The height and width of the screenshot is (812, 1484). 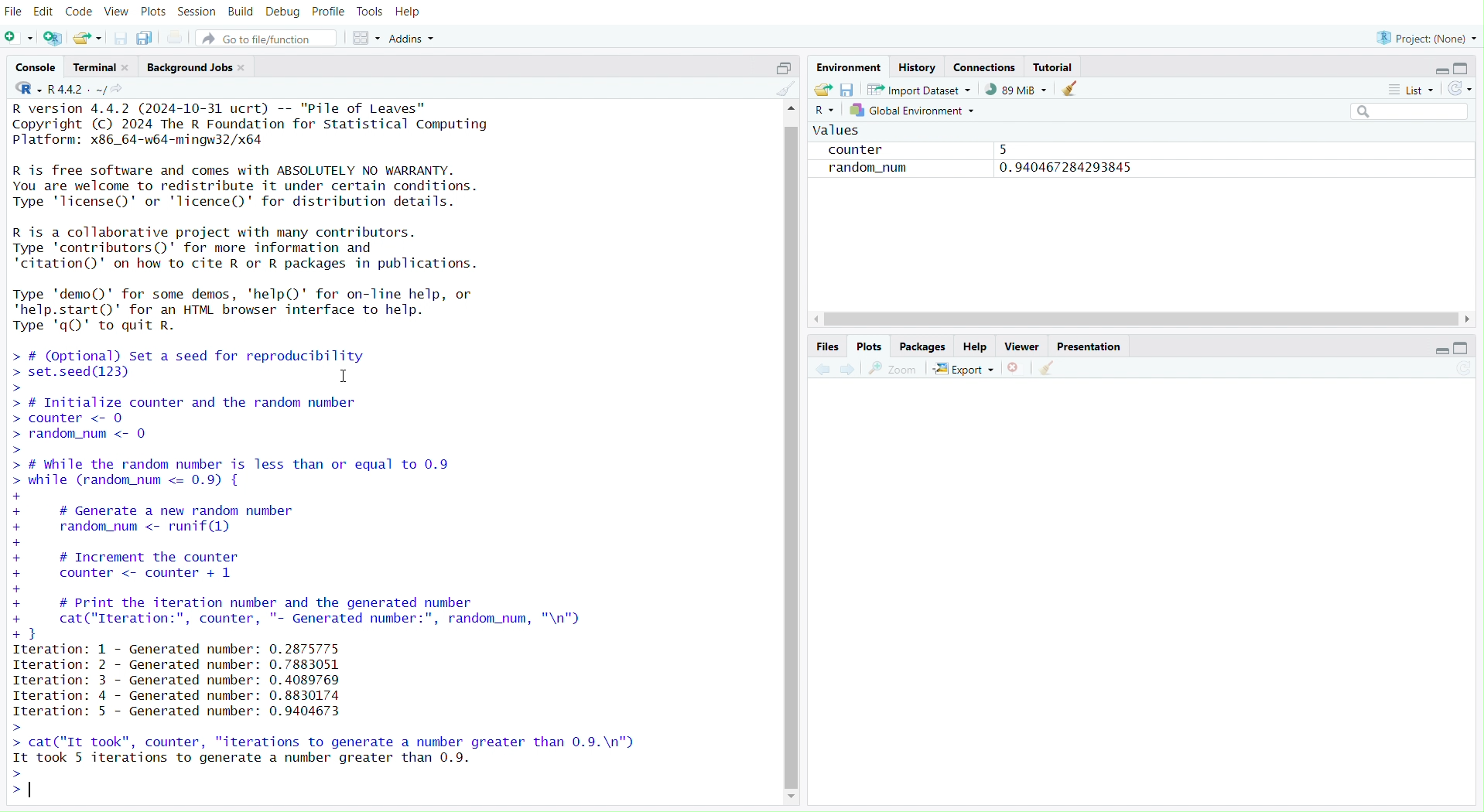 What do you see at coordinates (987, 66) in the screenshot?
I see `Connections` at bounding box center [987, 66].